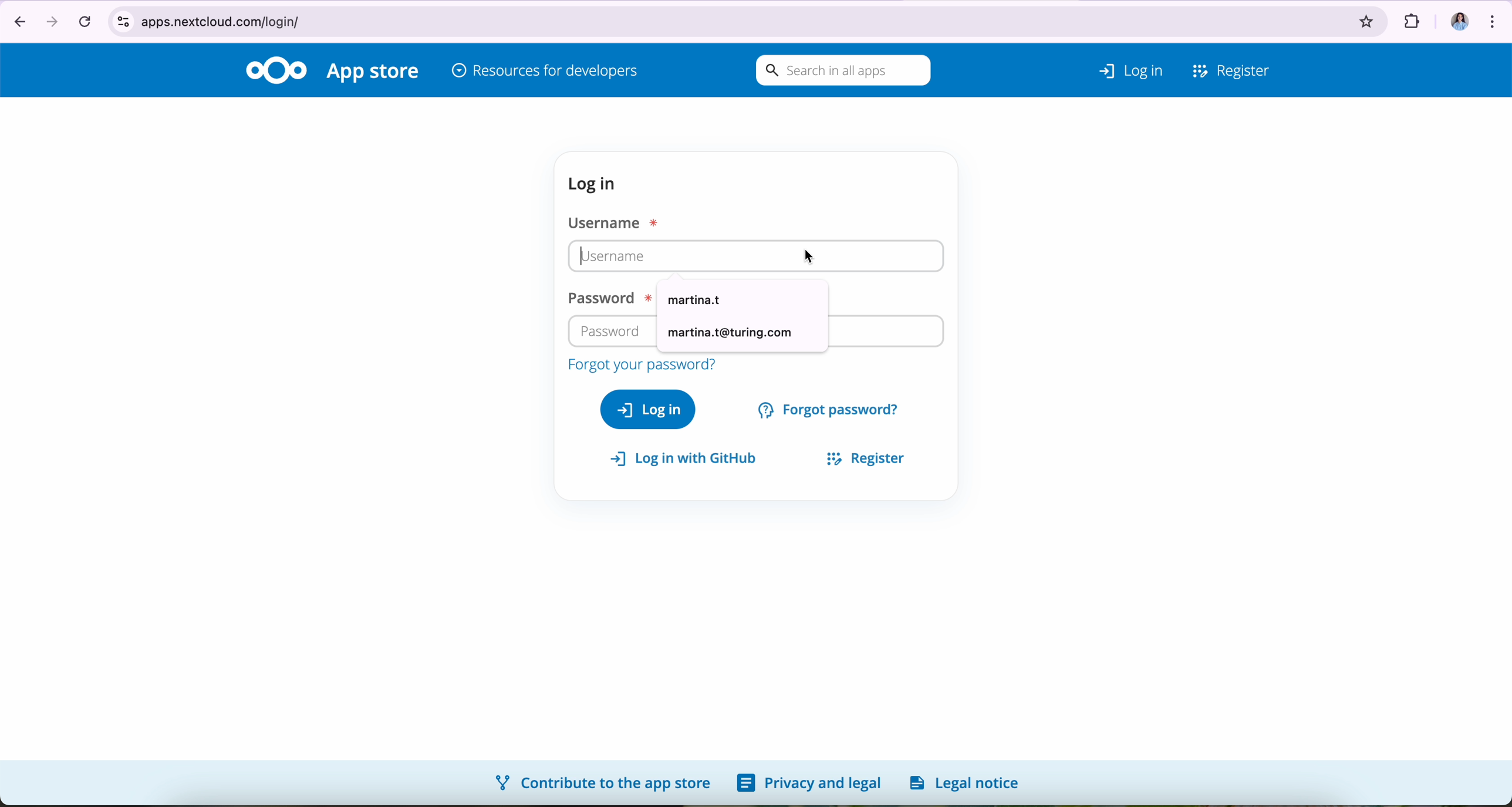 The width and height of the screenshot is (1512, 807). Describe the element at coordinates (809, 254) in the screenshot. I see `cursor` at that location.